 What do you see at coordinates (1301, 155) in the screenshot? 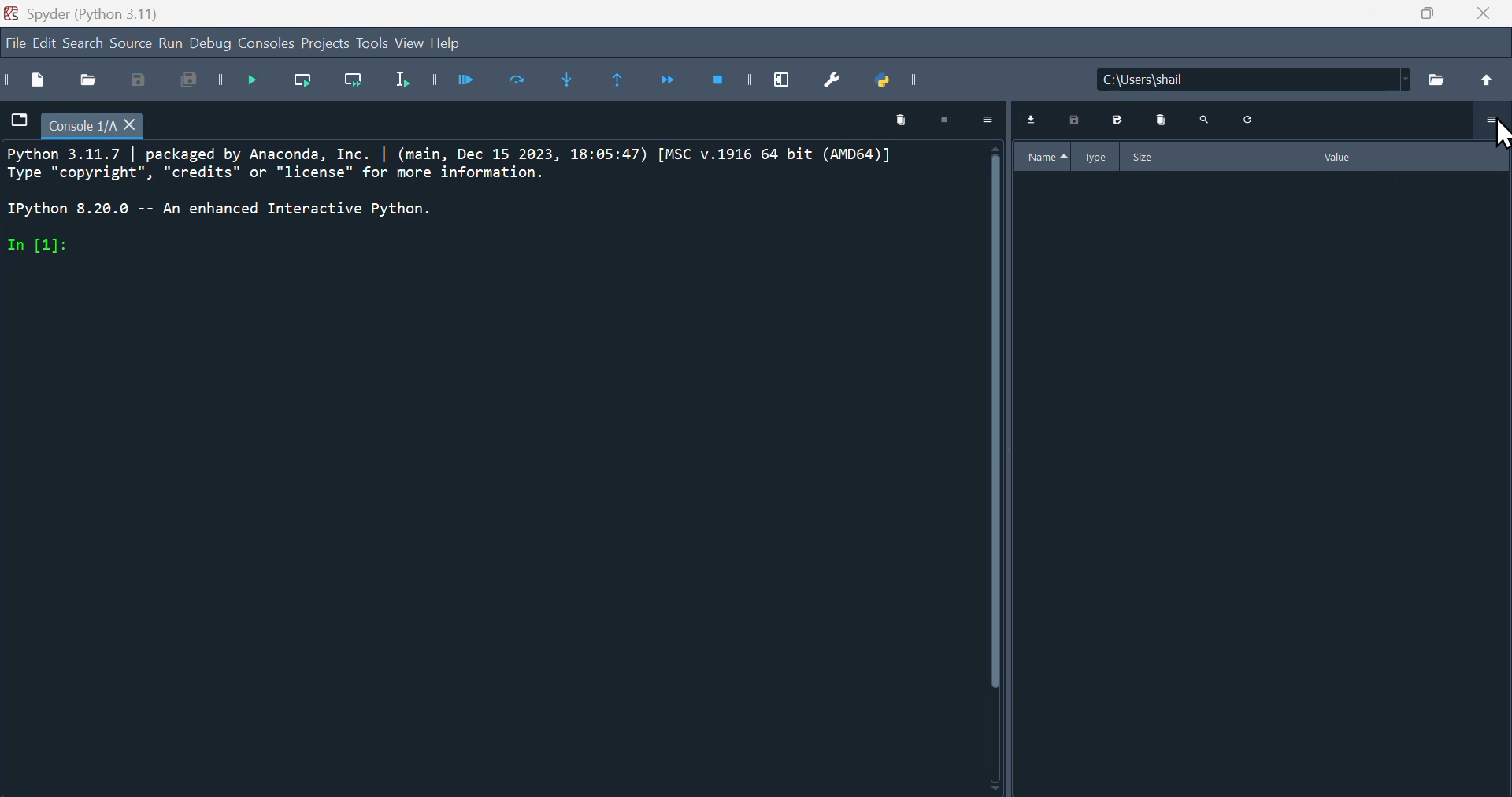
I see `Value` at bounding box center [1301, 155].